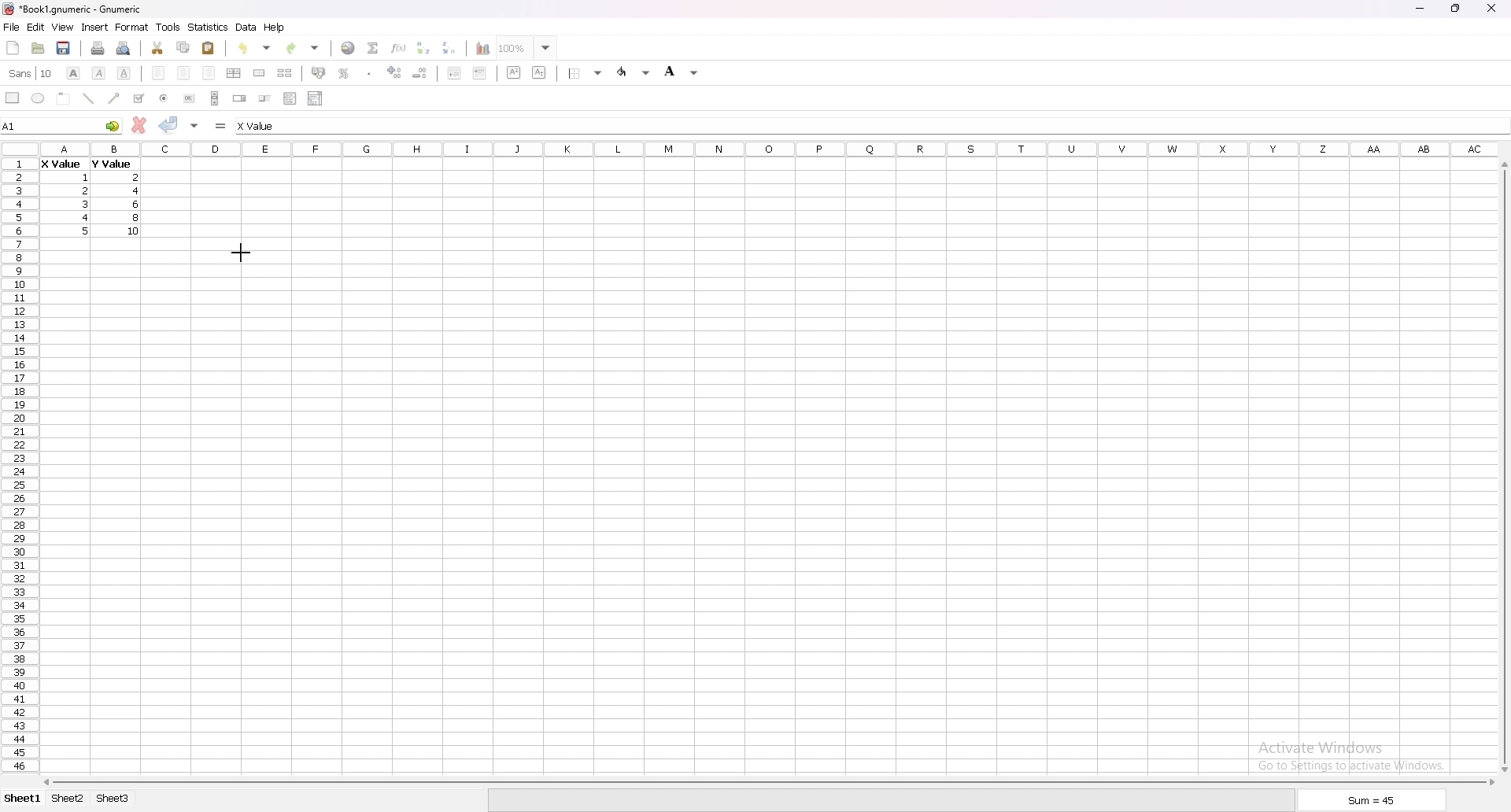 This screenshot has width=1511, height=812. What do you see at coordinates (140, 125) in the screenshot?
I see `cancel change` at bounding box center [140, 125].